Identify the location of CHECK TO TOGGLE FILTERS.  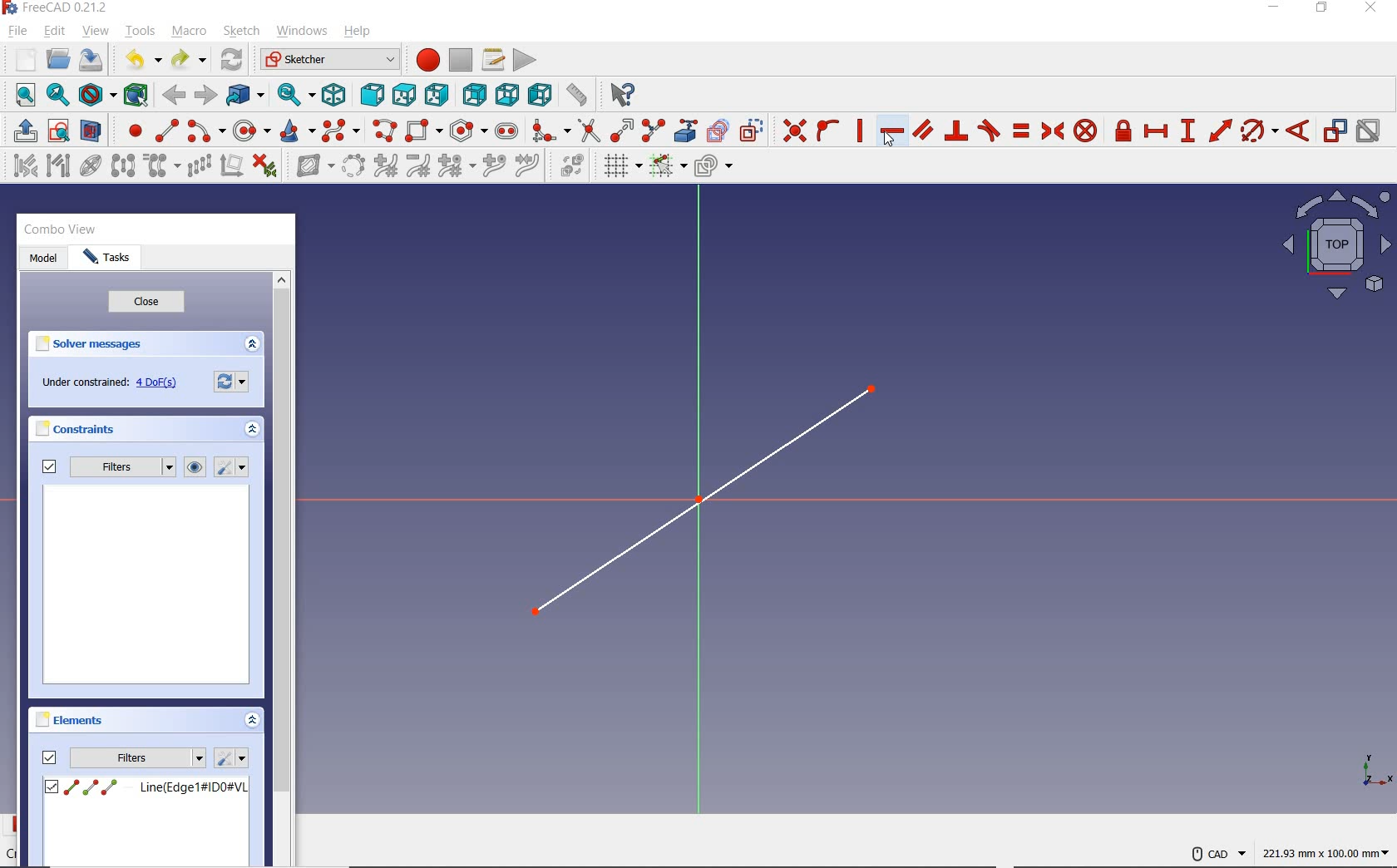
(47, 467).